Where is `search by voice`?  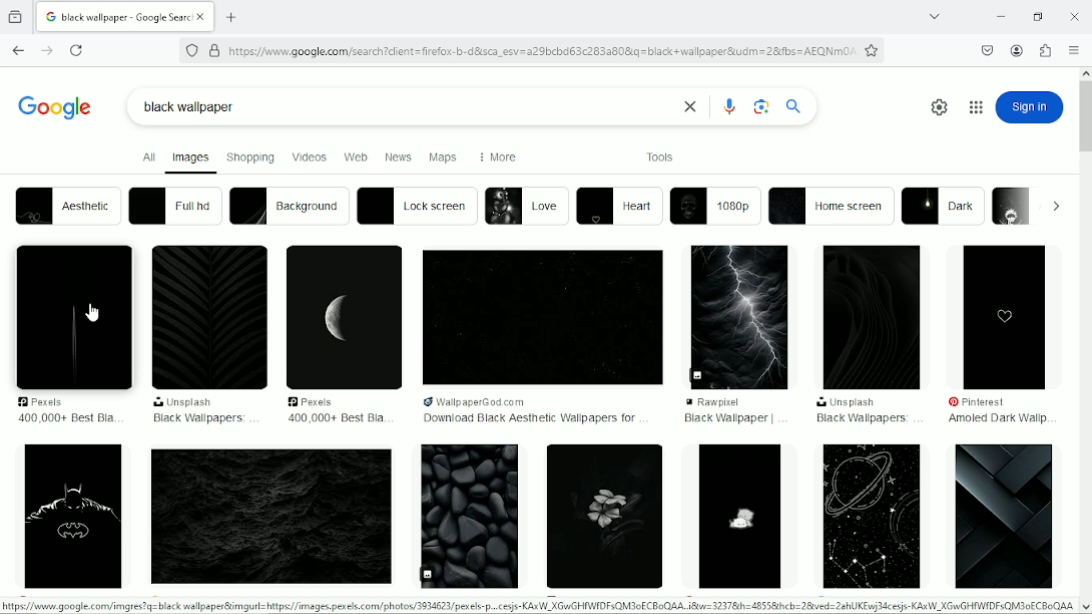
search by voice is located at coordinates (730, 106).